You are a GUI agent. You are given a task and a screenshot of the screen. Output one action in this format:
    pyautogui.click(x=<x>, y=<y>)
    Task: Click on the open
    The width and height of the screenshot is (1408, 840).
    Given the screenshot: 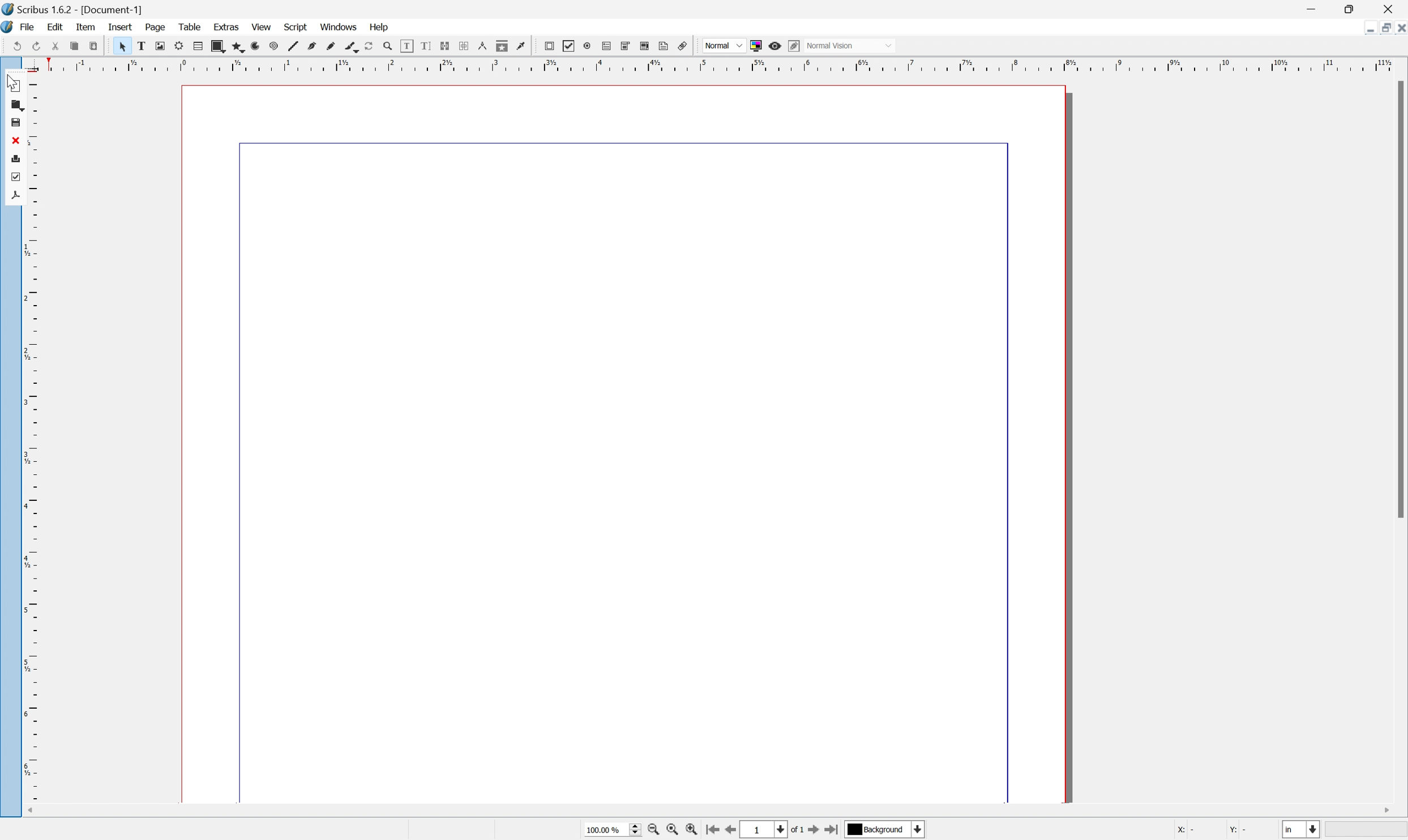 What is the action you would take?
    pyautogui.click(x=38, y=46)
    